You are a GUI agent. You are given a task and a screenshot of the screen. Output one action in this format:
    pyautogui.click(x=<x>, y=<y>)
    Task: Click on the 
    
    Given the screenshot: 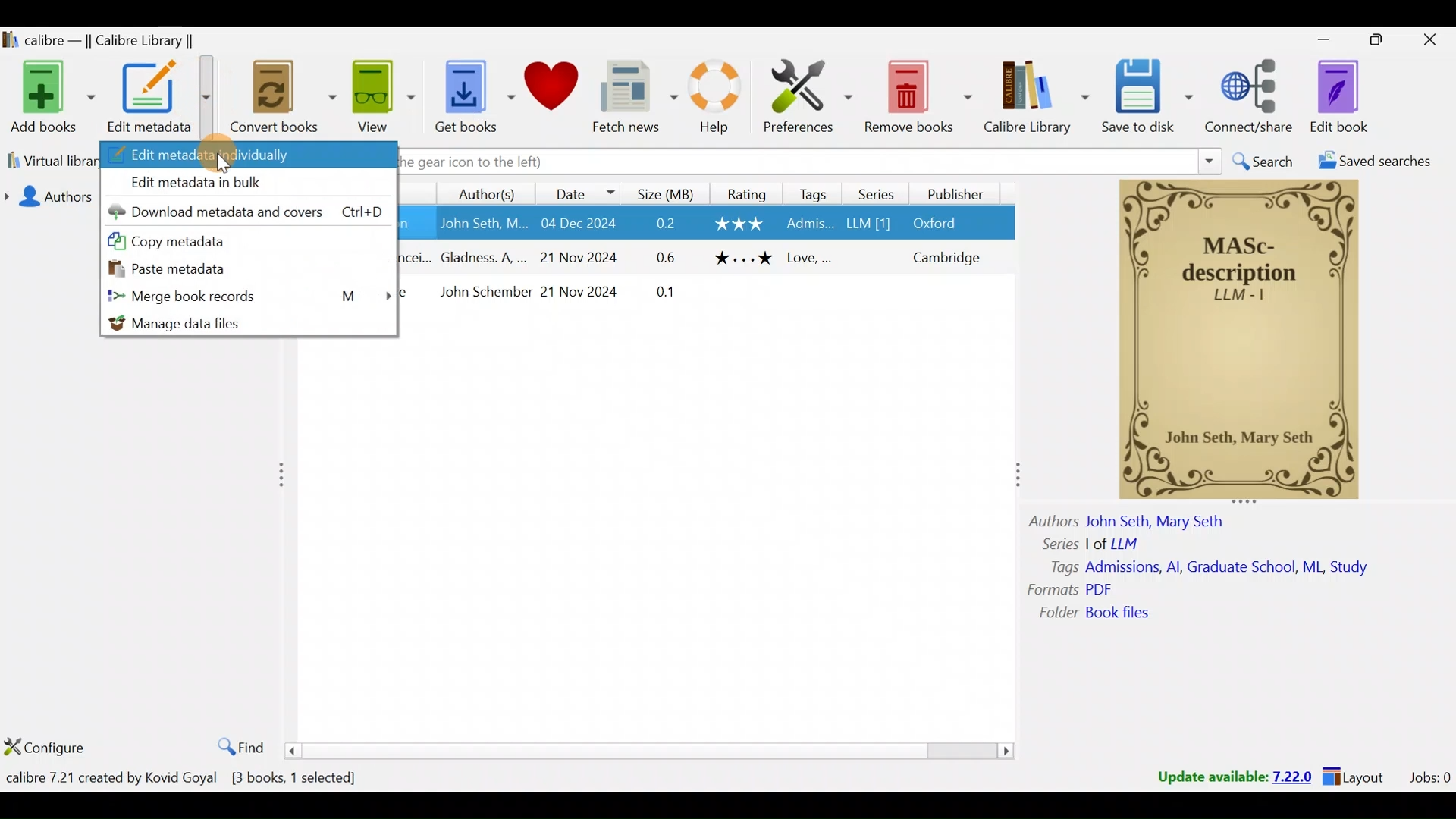 What is the action you would take?
    pyautogui.click(x=1056, y=544)
    